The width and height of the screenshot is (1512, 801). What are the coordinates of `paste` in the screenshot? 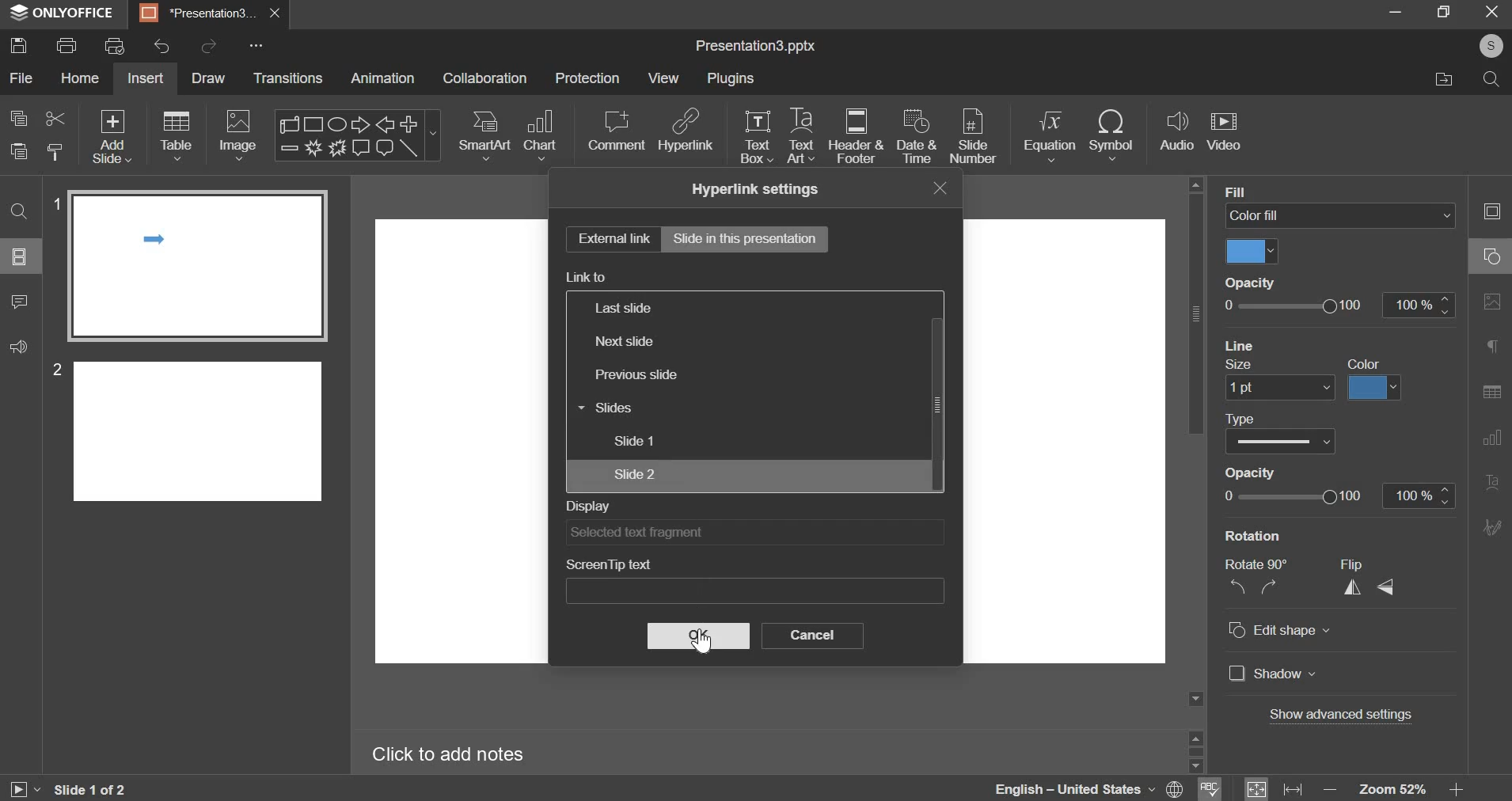 It's located at (18, 151).